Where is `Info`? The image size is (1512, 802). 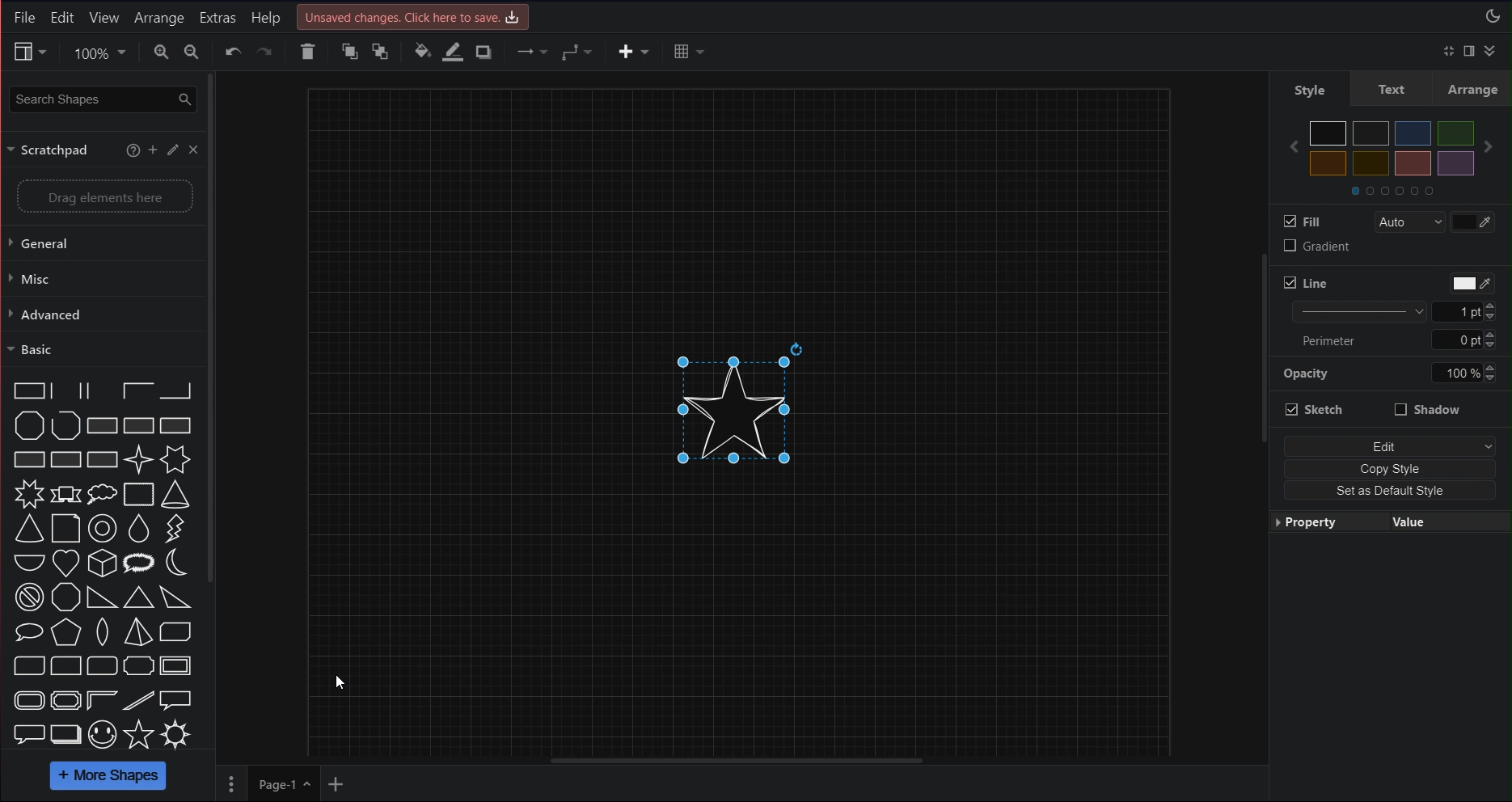 Info is located at coordinates (133, 150).